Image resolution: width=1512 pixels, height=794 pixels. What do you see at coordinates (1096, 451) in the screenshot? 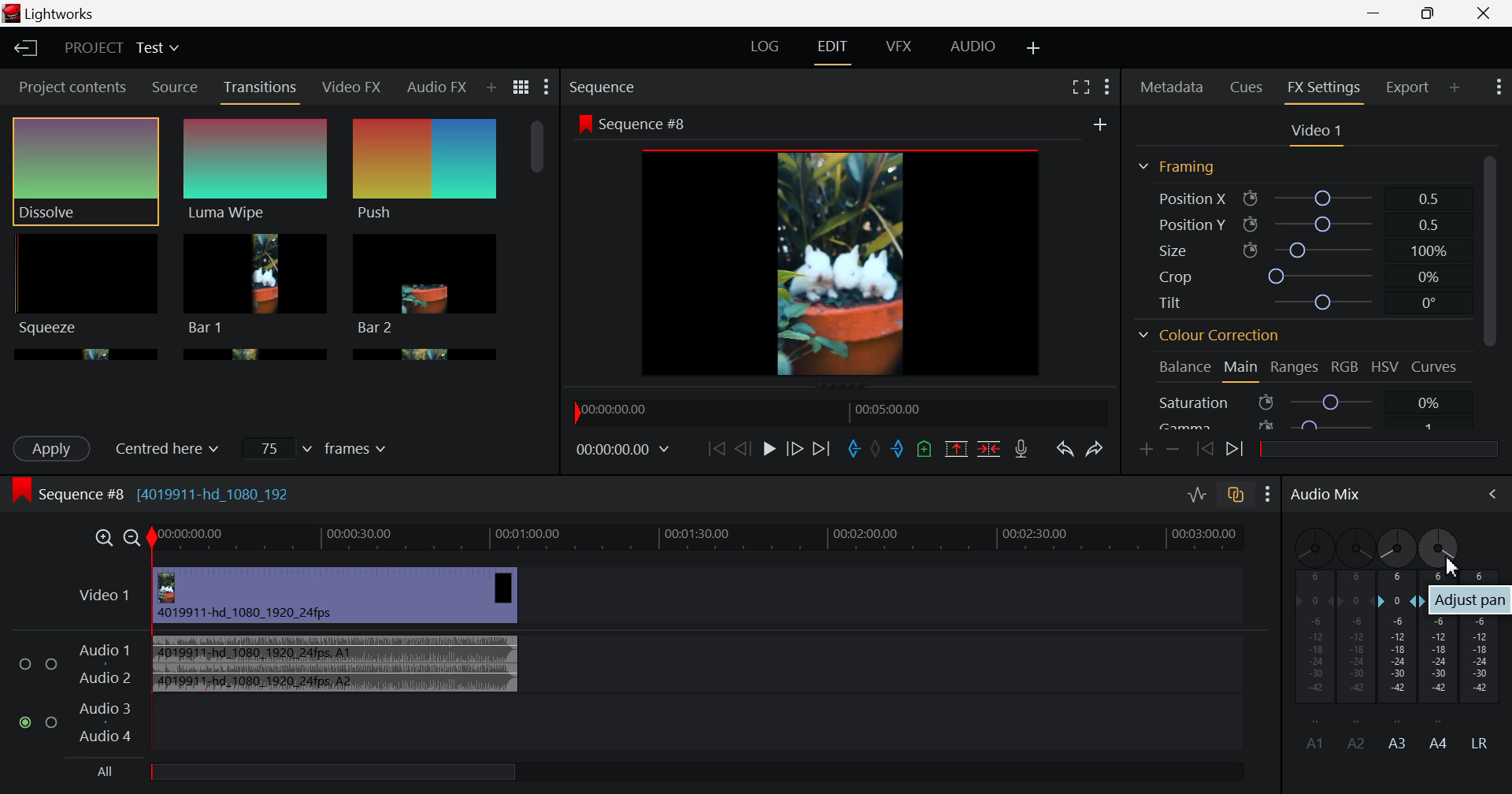
I see `Redo` at bounding box center [1096, 451].